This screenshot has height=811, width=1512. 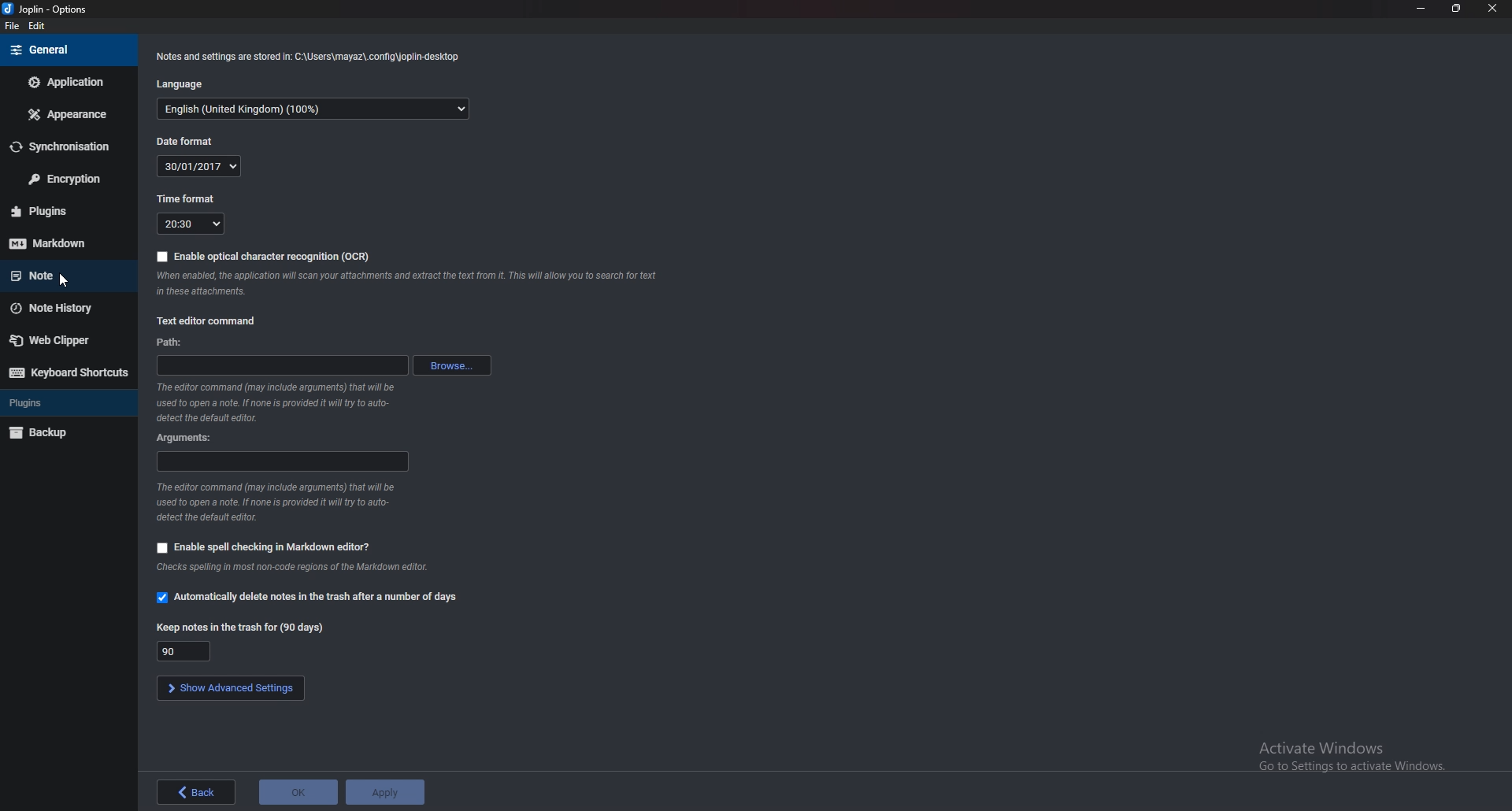 I want to click on path, so click(x=282, y=365).